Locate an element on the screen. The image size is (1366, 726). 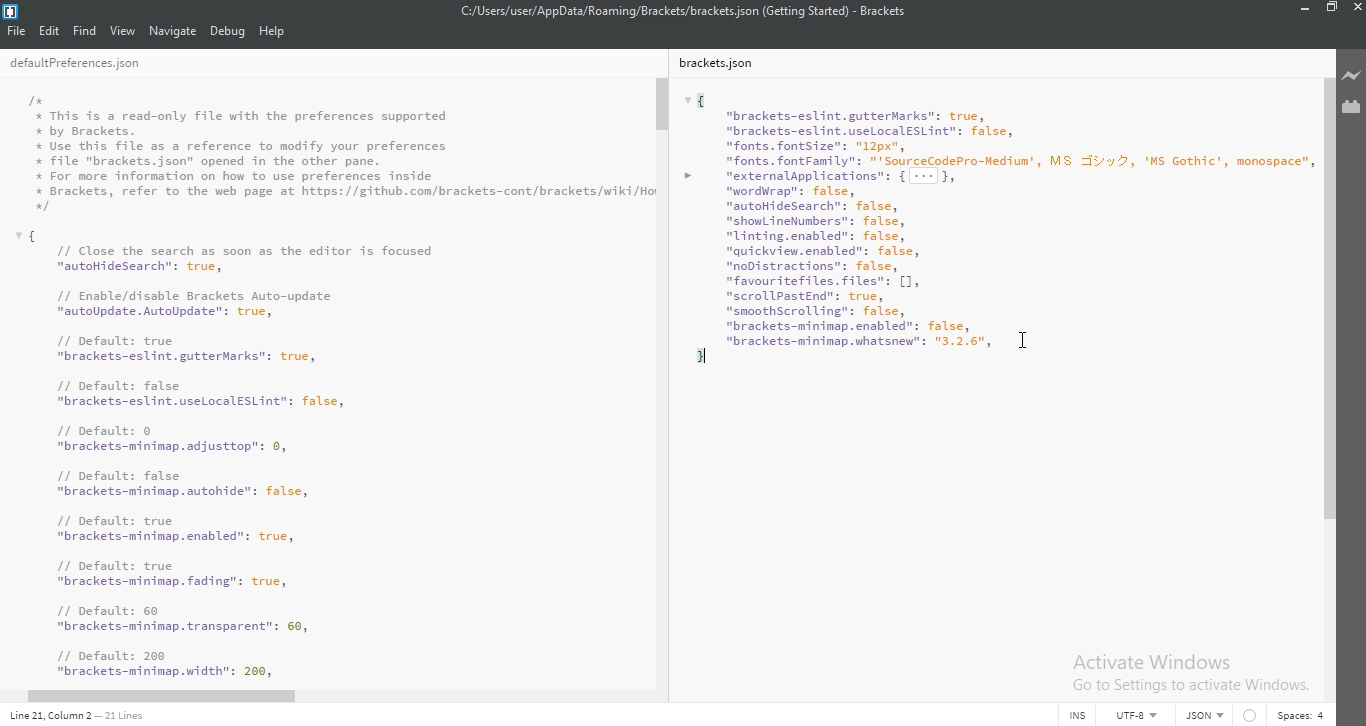
restore is located at coordinates (1330, 11).